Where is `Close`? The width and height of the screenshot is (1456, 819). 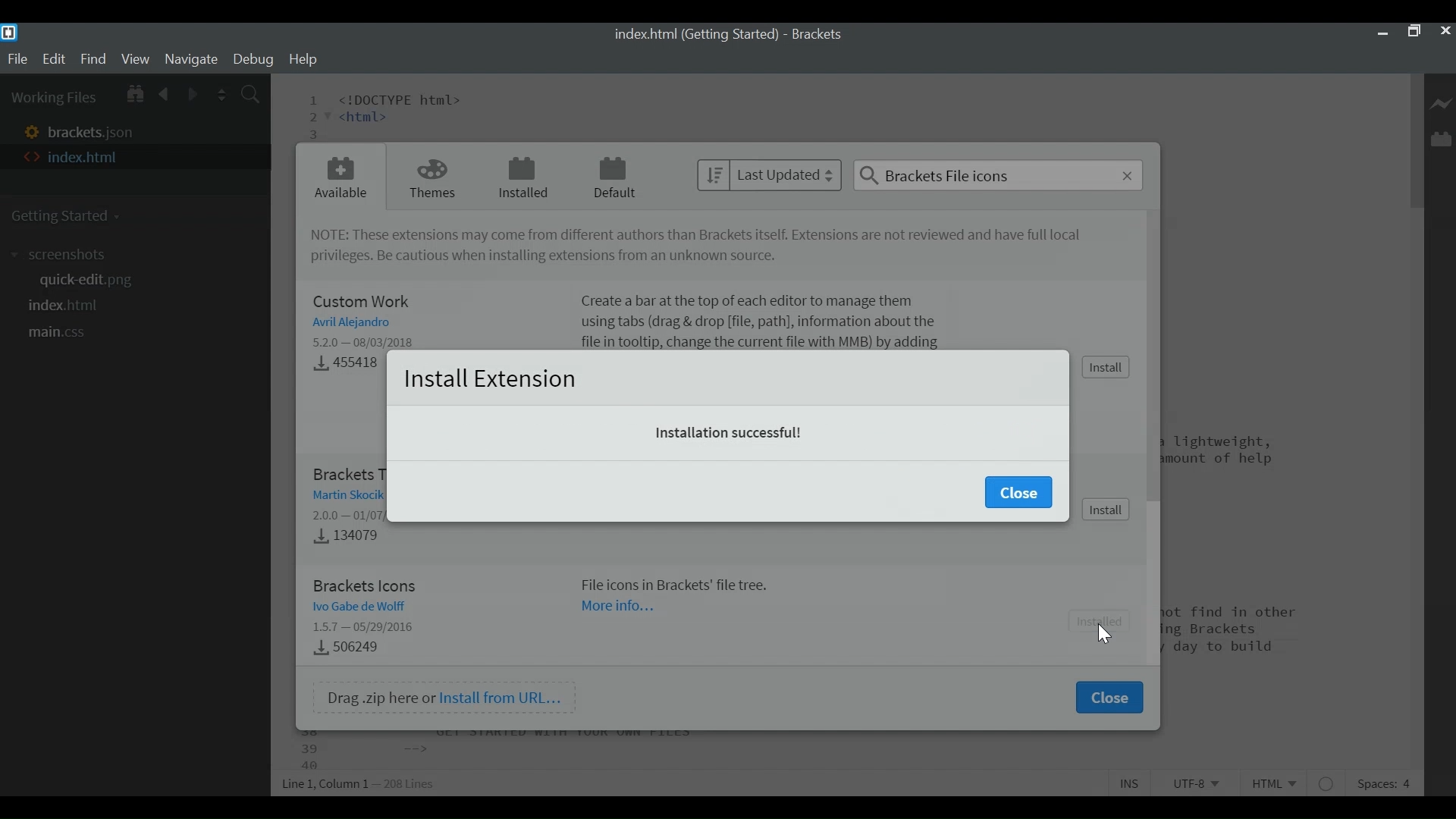 Close is located at coordinates (1018, 493).